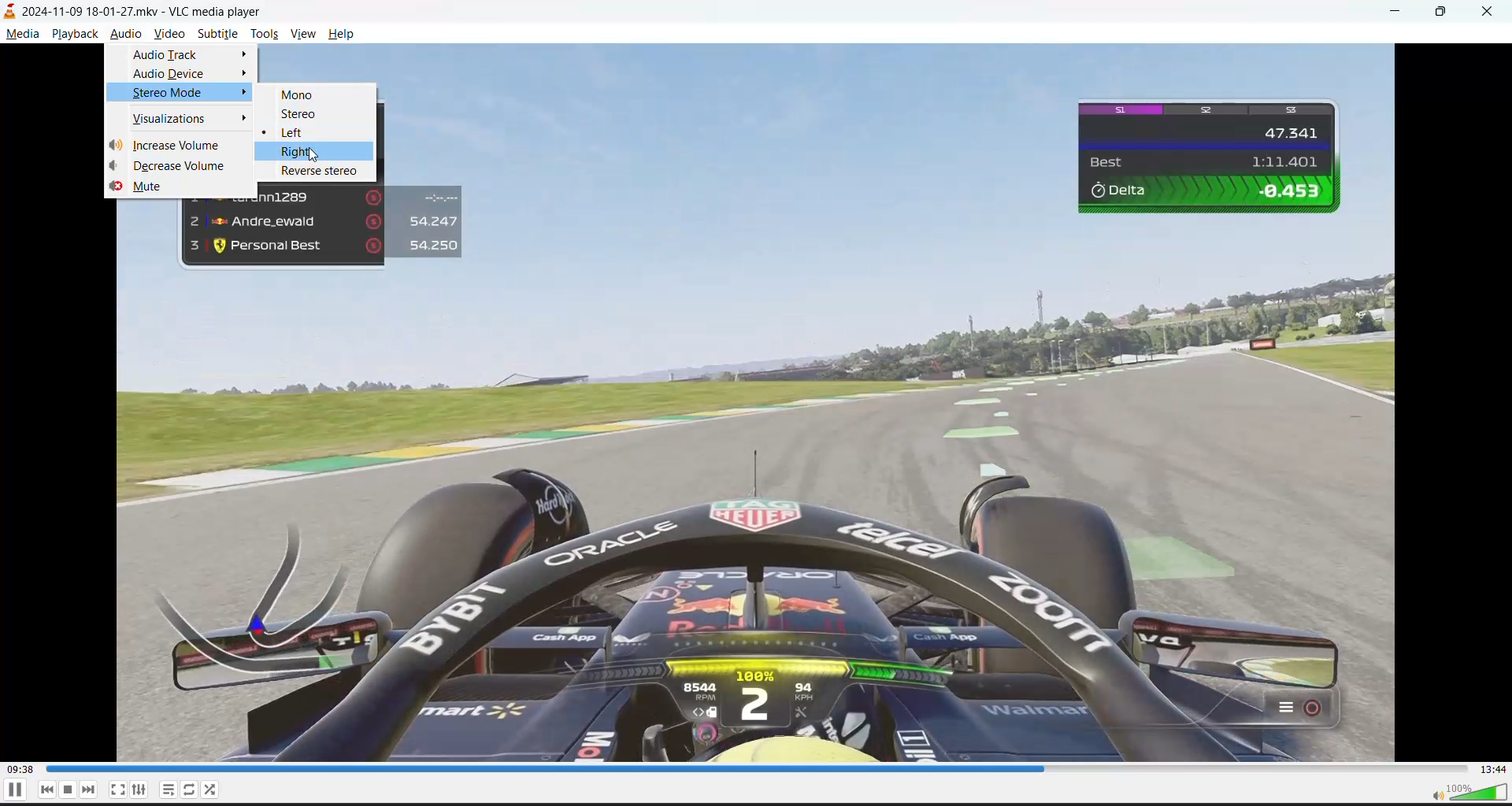 This screenshot has width=1512, height=806. What do you see at coordinates (220, 35) in the screenshot?
I see `subtitle` at bounding box center [220, 35].